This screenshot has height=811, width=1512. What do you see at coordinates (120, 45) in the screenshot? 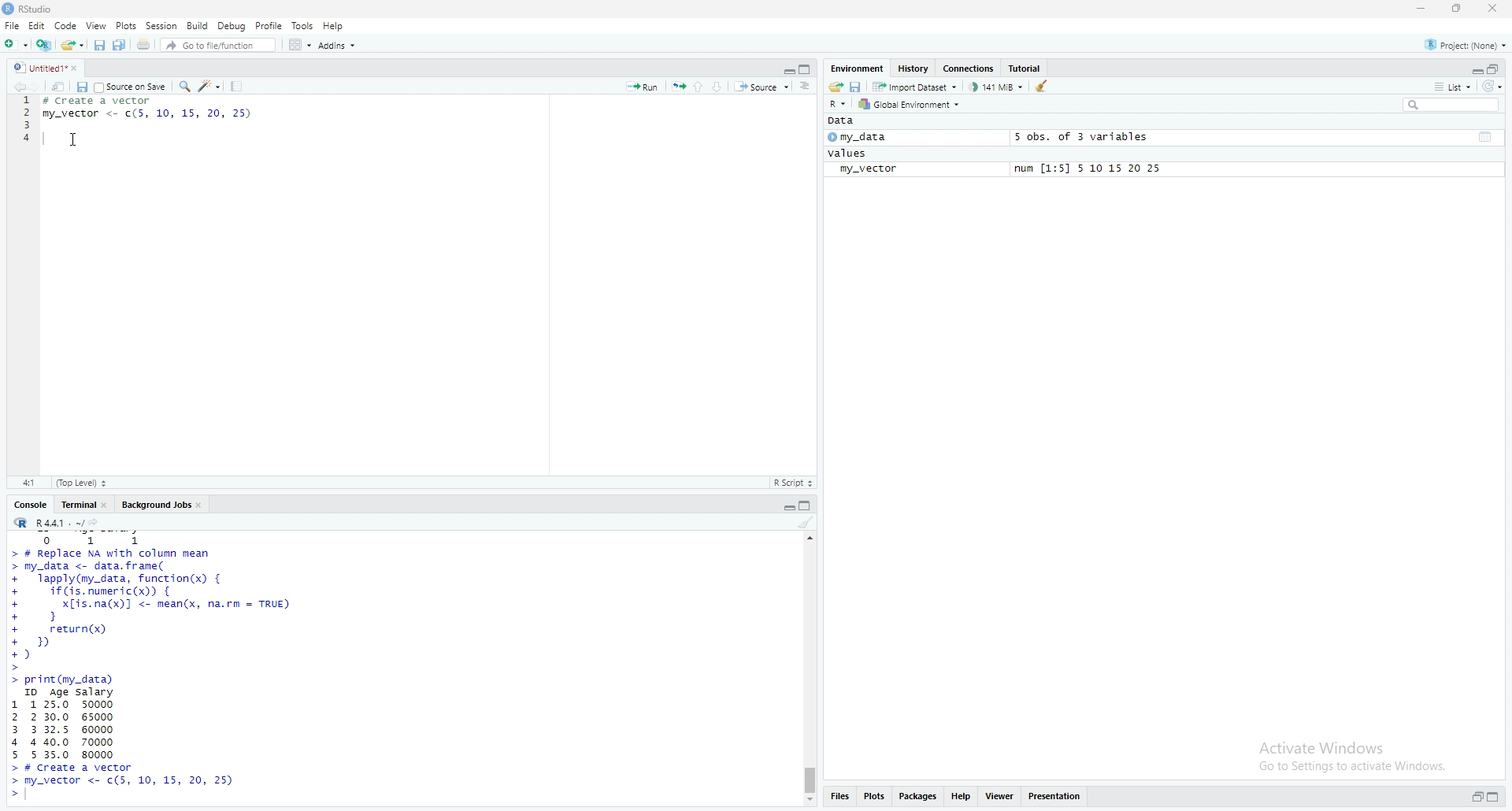
I see `save all open documents` at bounding box center [120, 45].